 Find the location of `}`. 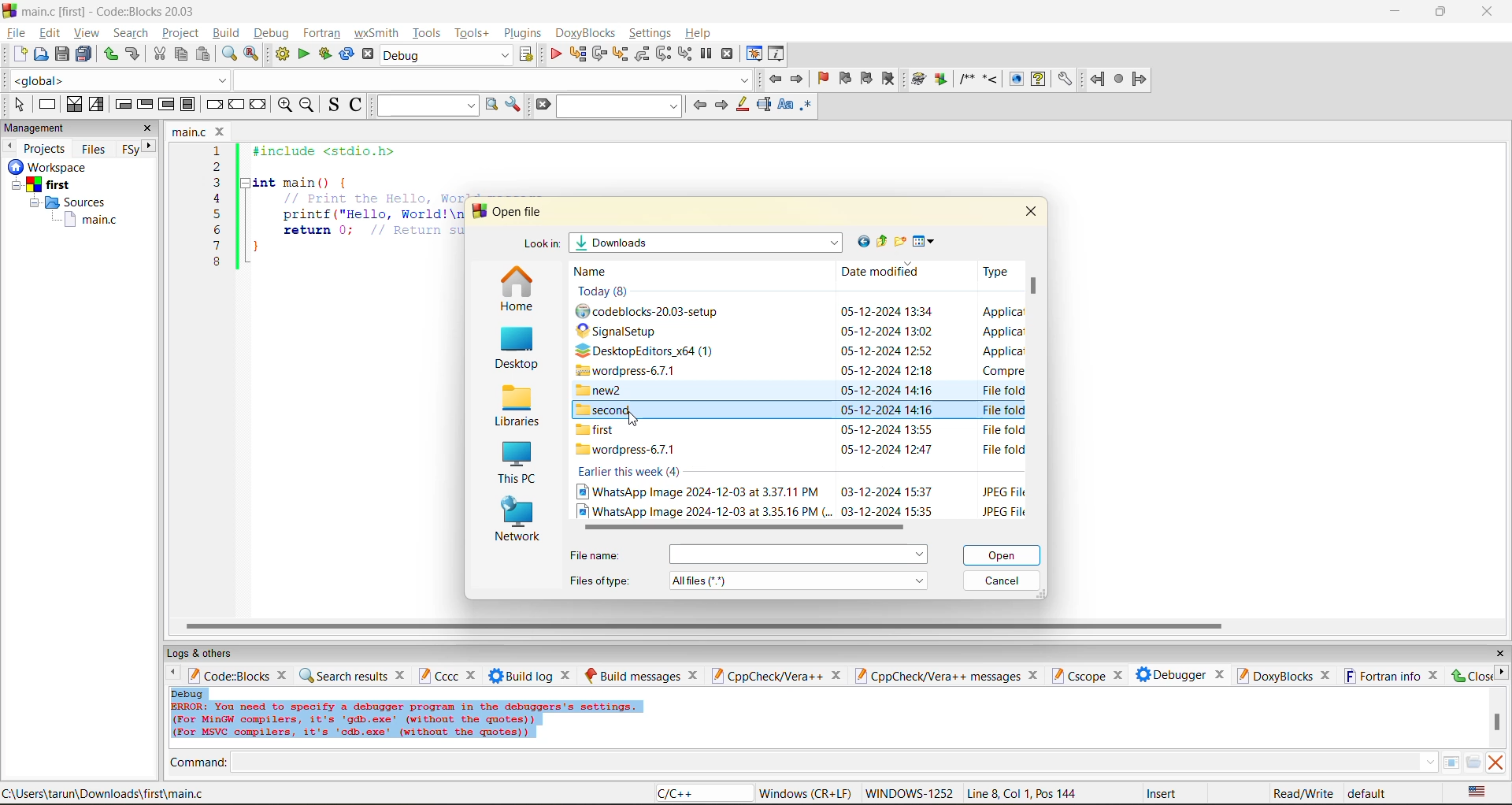

} is located at coordinates (256, 249).